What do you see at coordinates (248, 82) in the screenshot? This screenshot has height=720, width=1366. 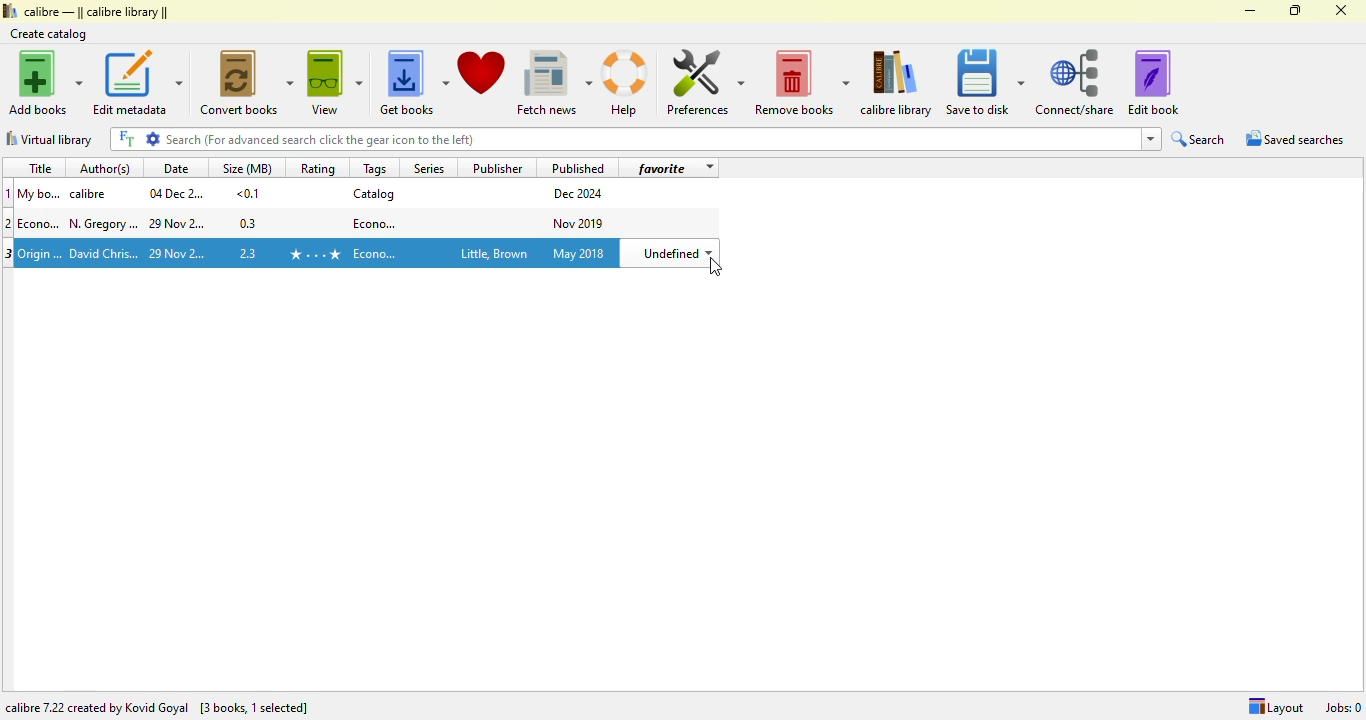 I see `convert books` at bounding box center [248, 82].